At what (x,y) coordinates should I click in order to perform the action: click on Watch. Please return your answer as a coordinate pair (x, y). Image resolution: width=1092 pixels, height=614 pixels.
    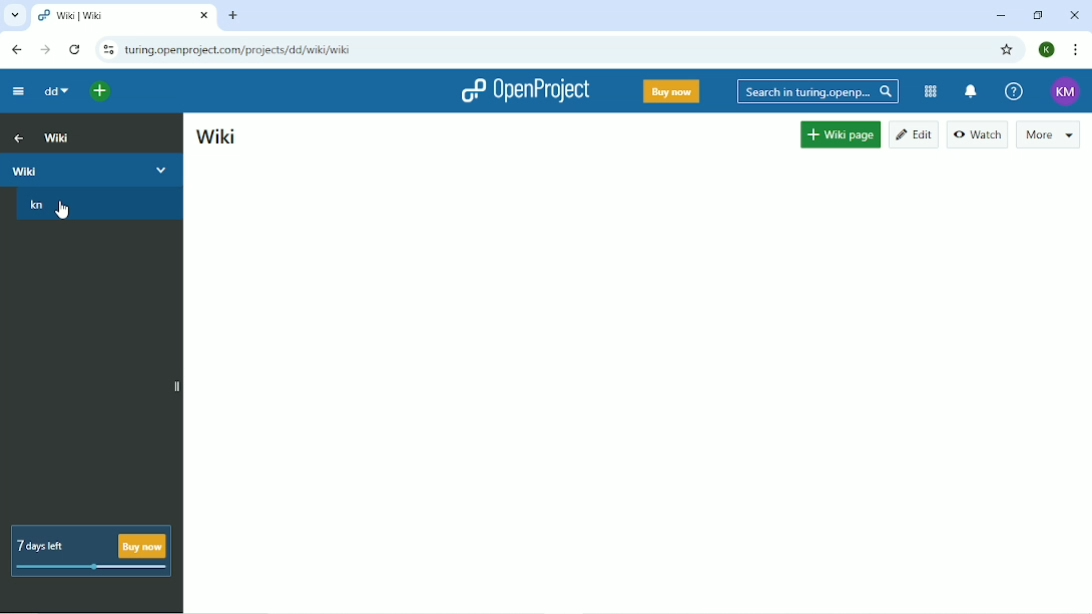
    Looking at the image, I should click on (978, 134).